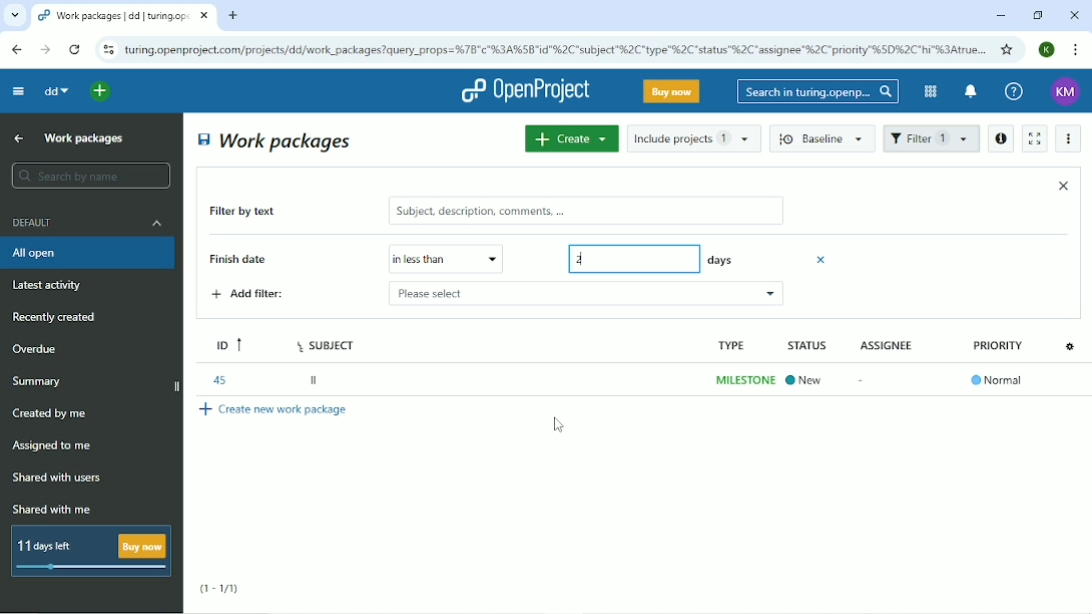 The image size is (1092, 614). What do you see at coordinates (889, 345) in the screenshot?
I see `ASSIGNEE` at bounding box center [889, 345].